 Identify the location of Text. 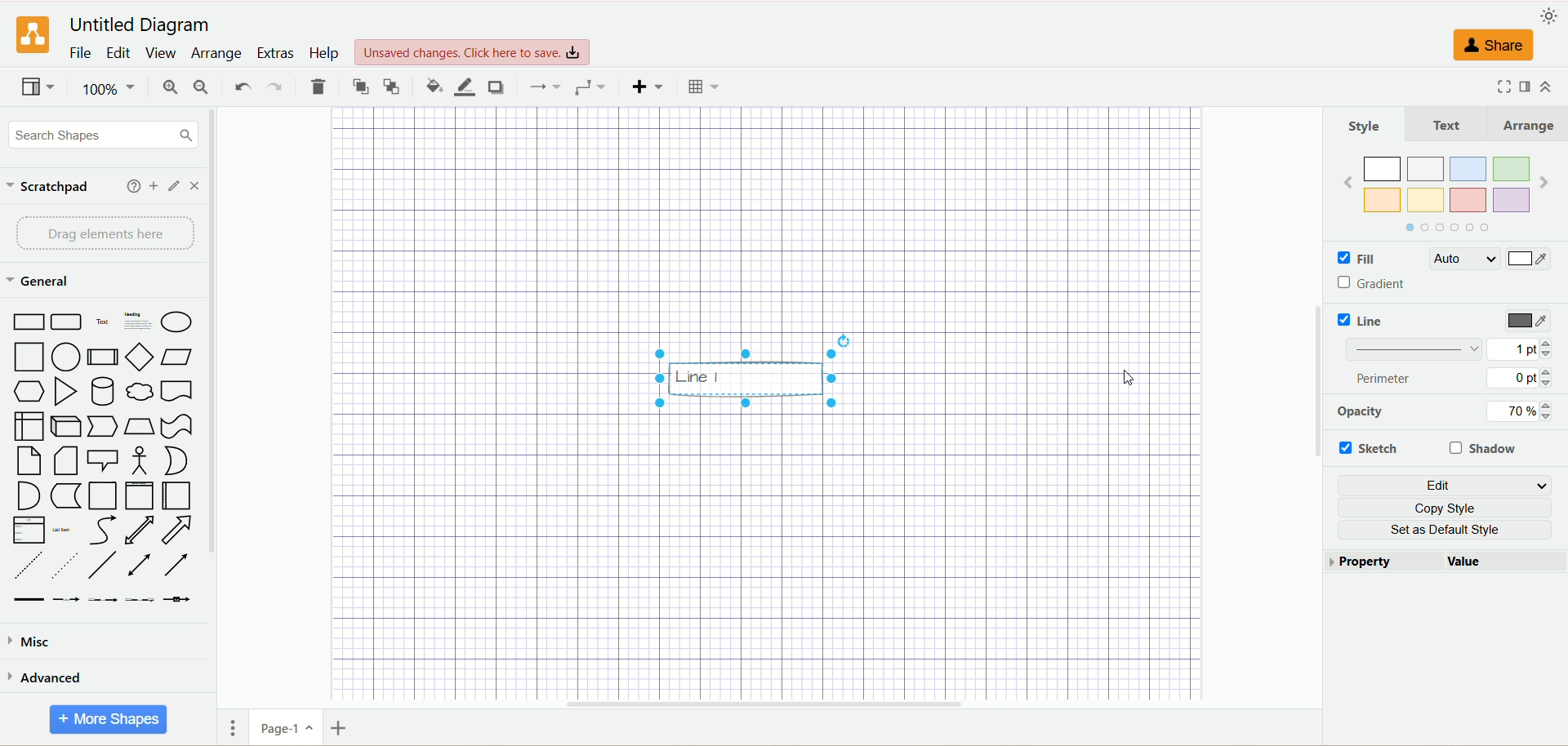
(104, 321).